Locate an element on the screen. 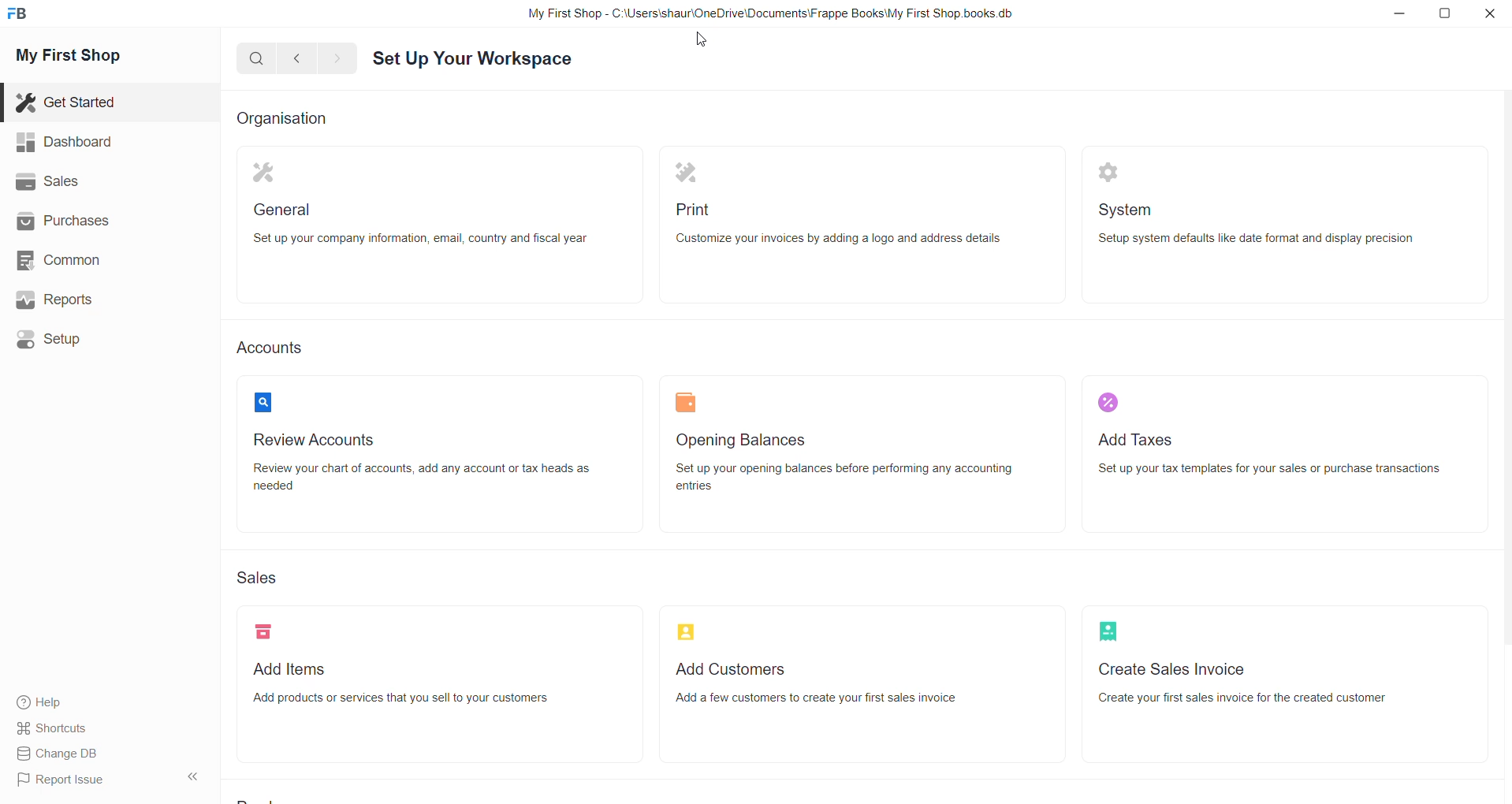  review accounts is located at coordinates (426, 442).